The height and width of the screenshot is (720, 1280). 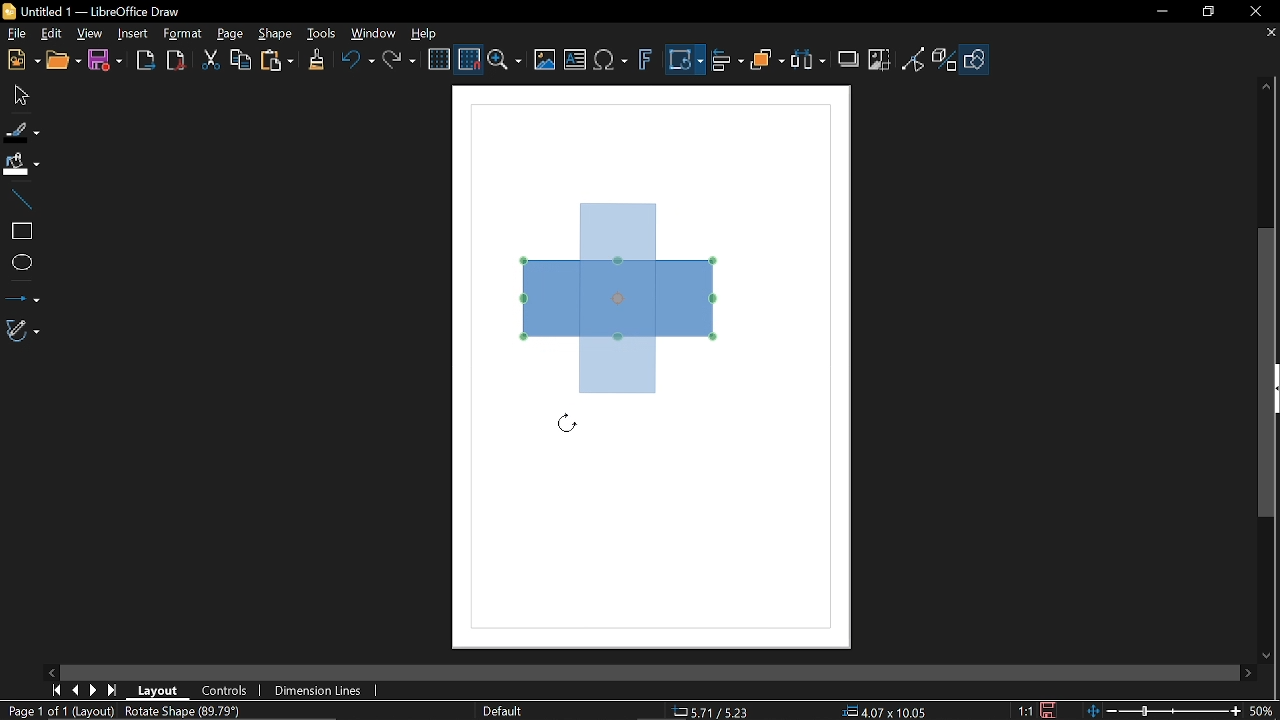 What do you see at coordinates (108, 11) in the screenshot?
I see `Untitled 1 — LibreOffice Draw` at bounding box center [108, 11].